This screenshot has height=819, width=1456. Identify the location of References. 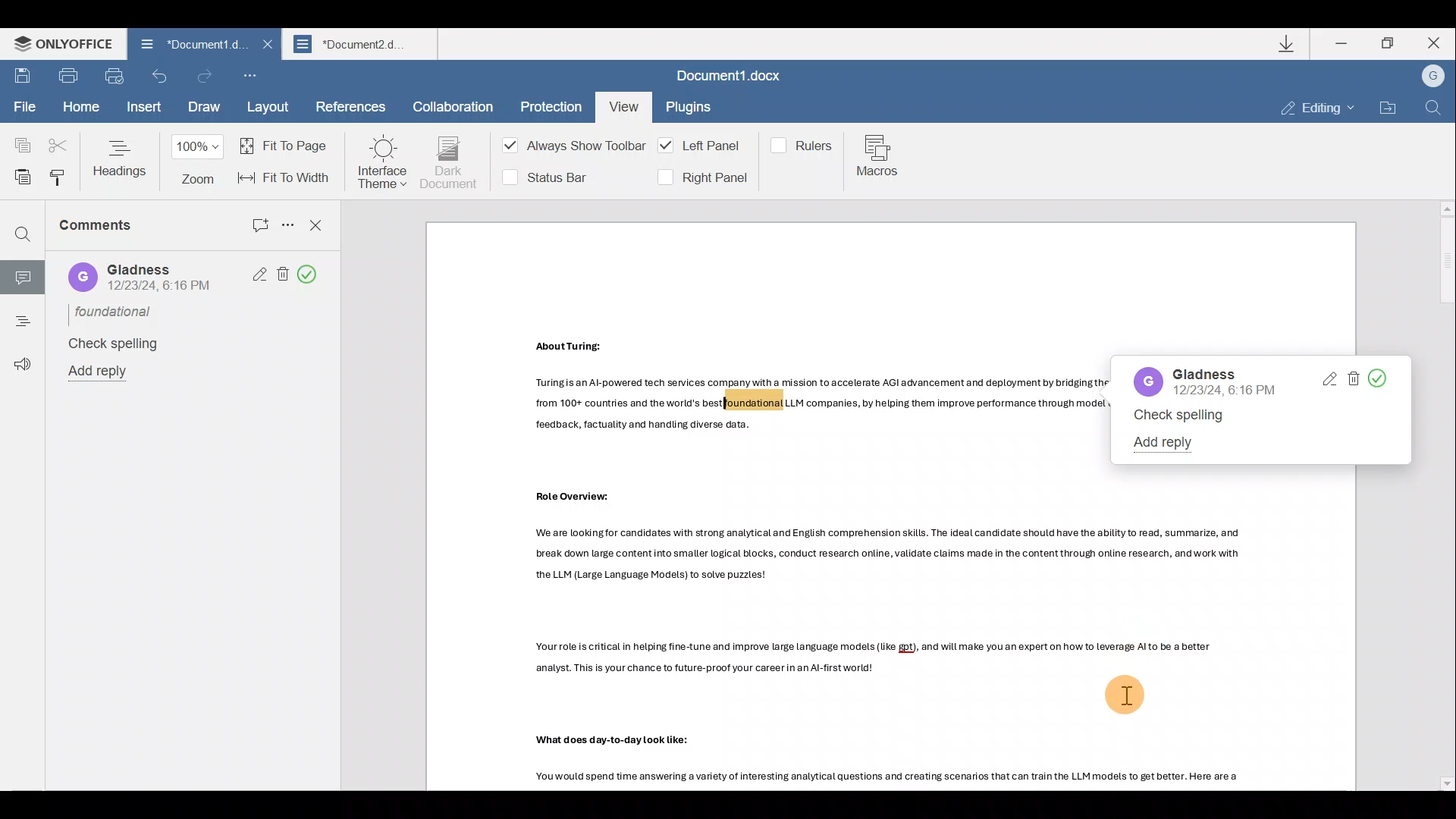
(350, 108).